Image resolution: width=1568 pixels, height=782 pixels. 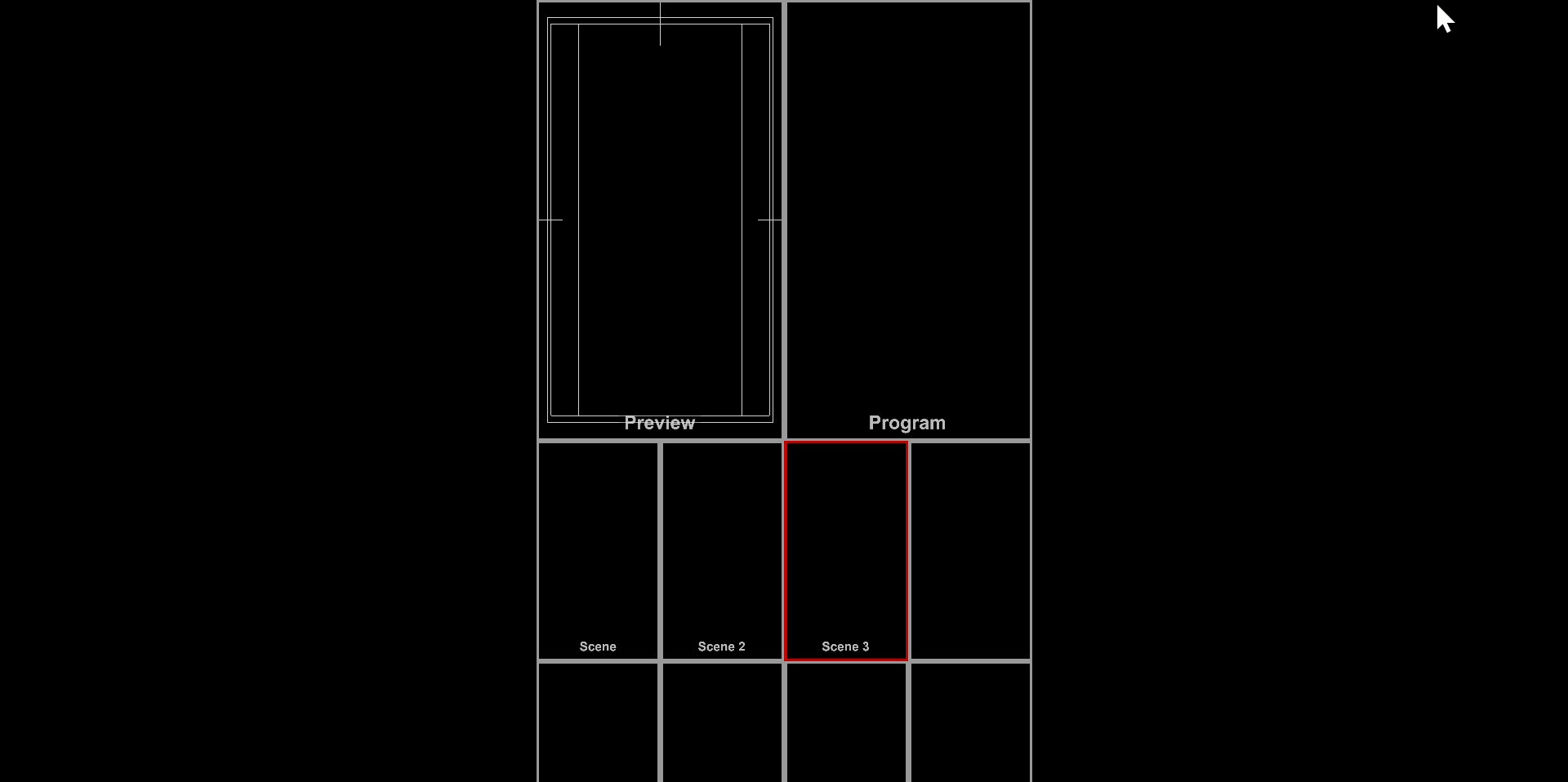 What do you see at coordinates (599, 722) in the screenshot?
I see `placeholders for scenes that don't currently have any content assigned to them` at bounding box center [599, 722].